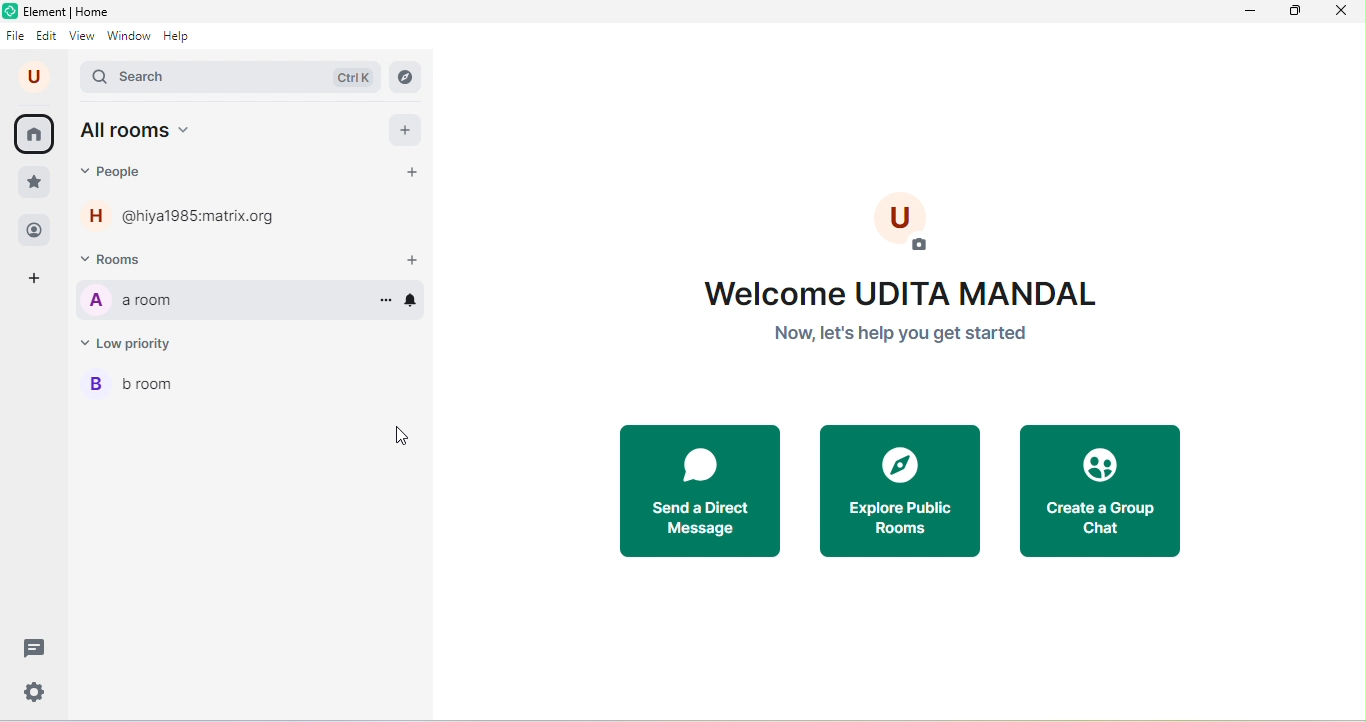 The image size is (1366, 722). I want to click on b room, so click(125, 389).